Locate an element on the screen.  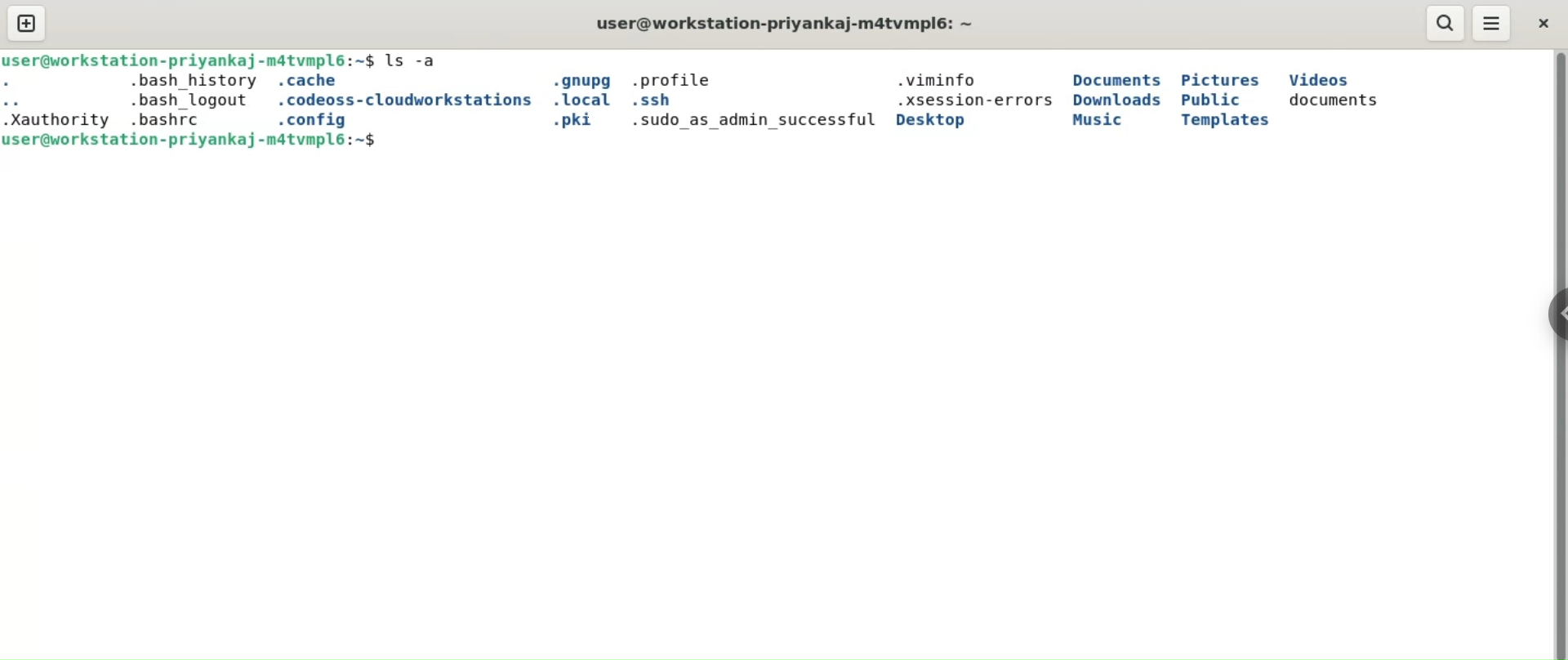
new tab is located at coordinates (26, 24).